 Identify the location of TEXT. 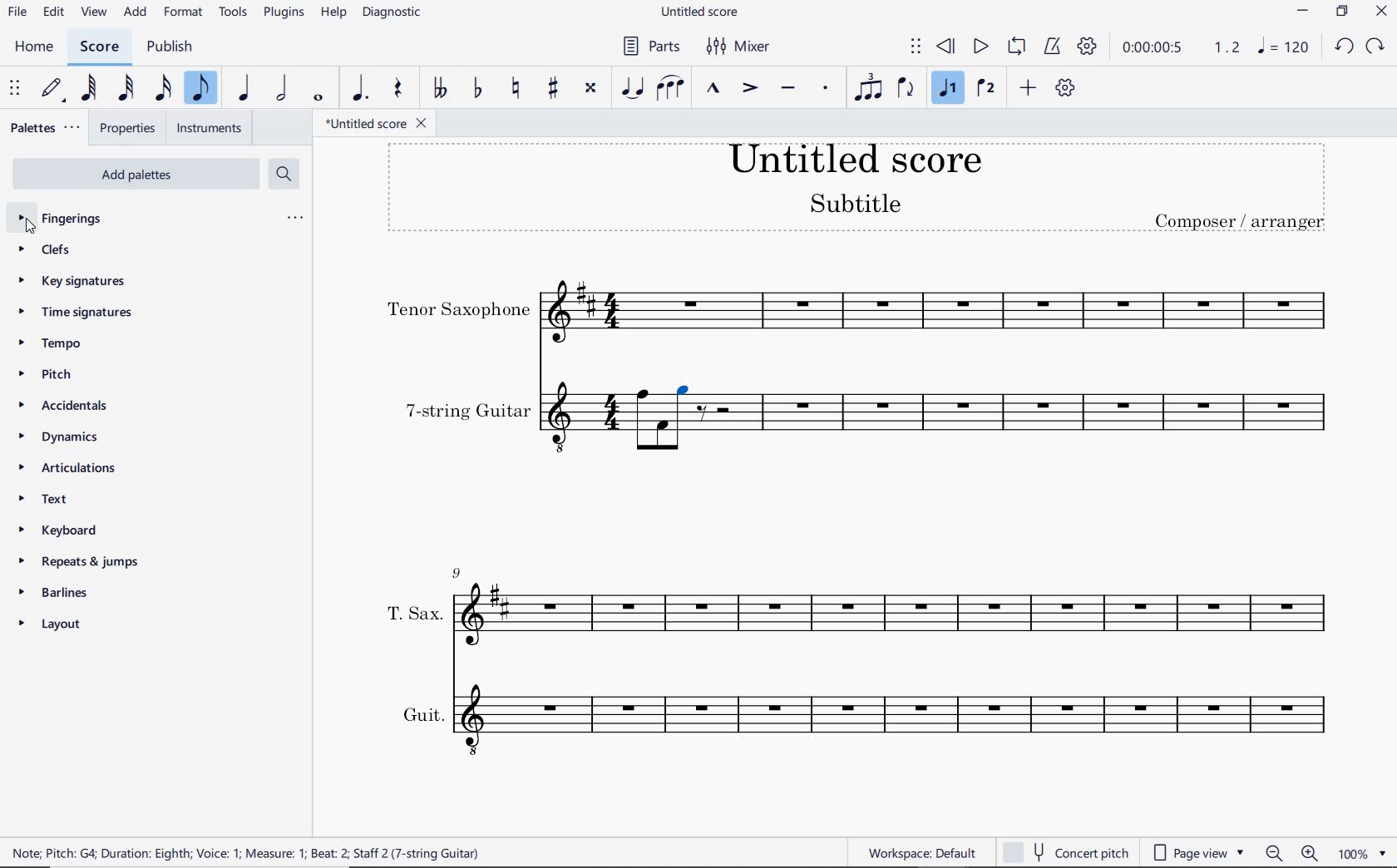
(69, 501).